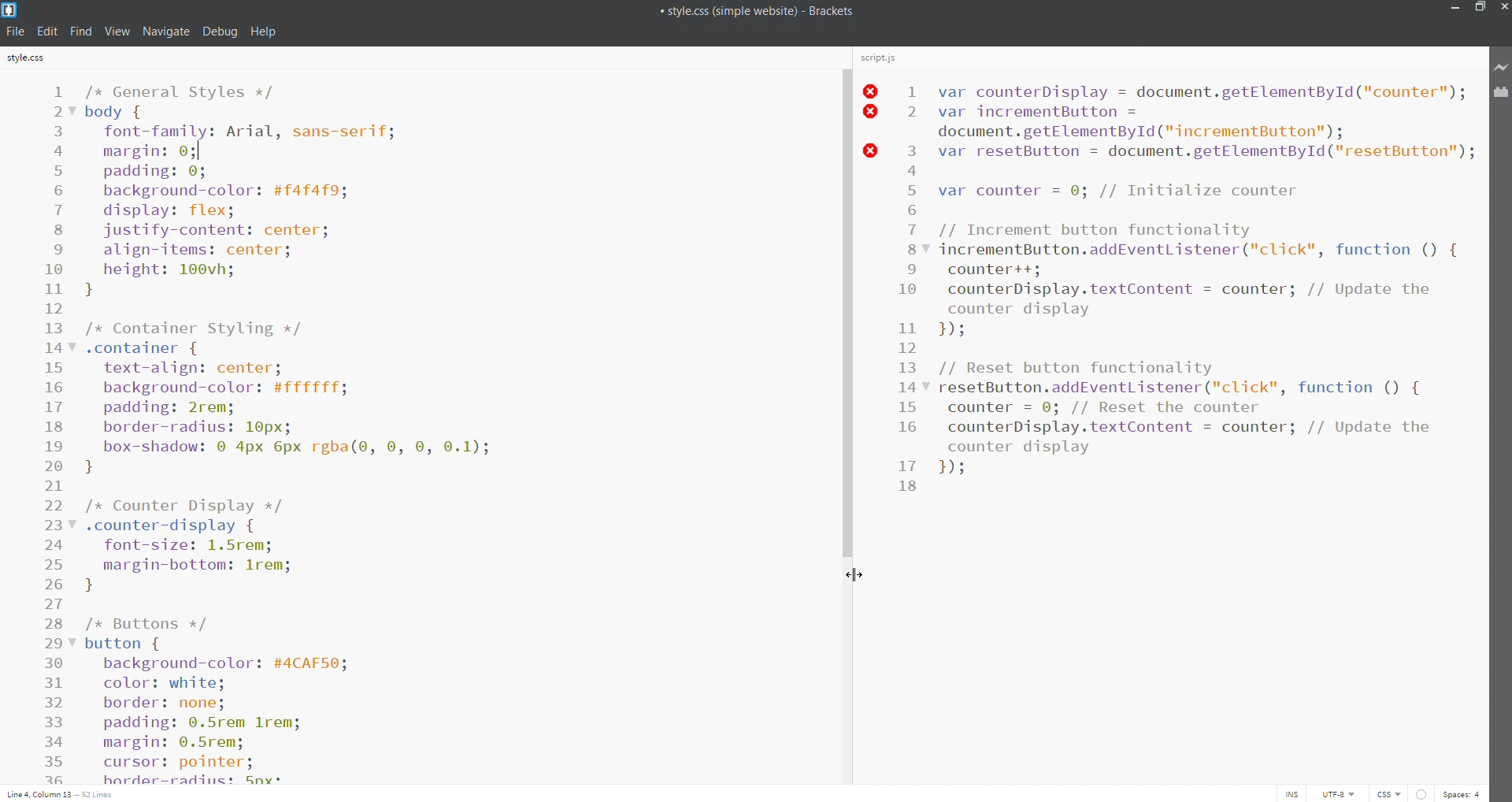 Image resolution: width=1512 pixels, height=802 pixels. What do you see at coordinates (1384, 793) in the screenshot?
I see `file type` at bounding box center [1384, 793].